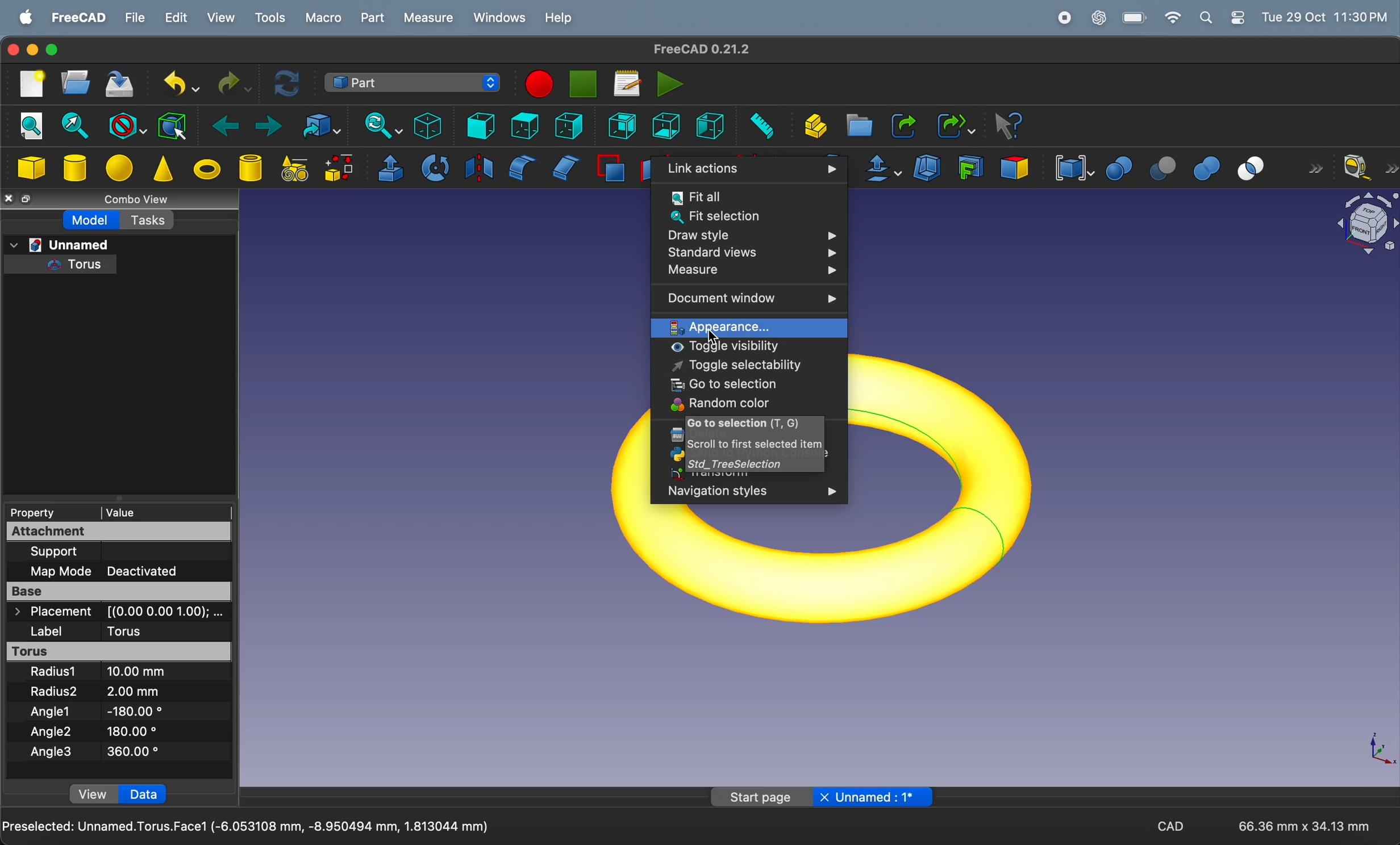 Image resolution: width=1400 pixels, height=845 pixels. What do you see at coordinates (120, 591) in the screenshot?
I see `base` at bounding box center [120, 591].